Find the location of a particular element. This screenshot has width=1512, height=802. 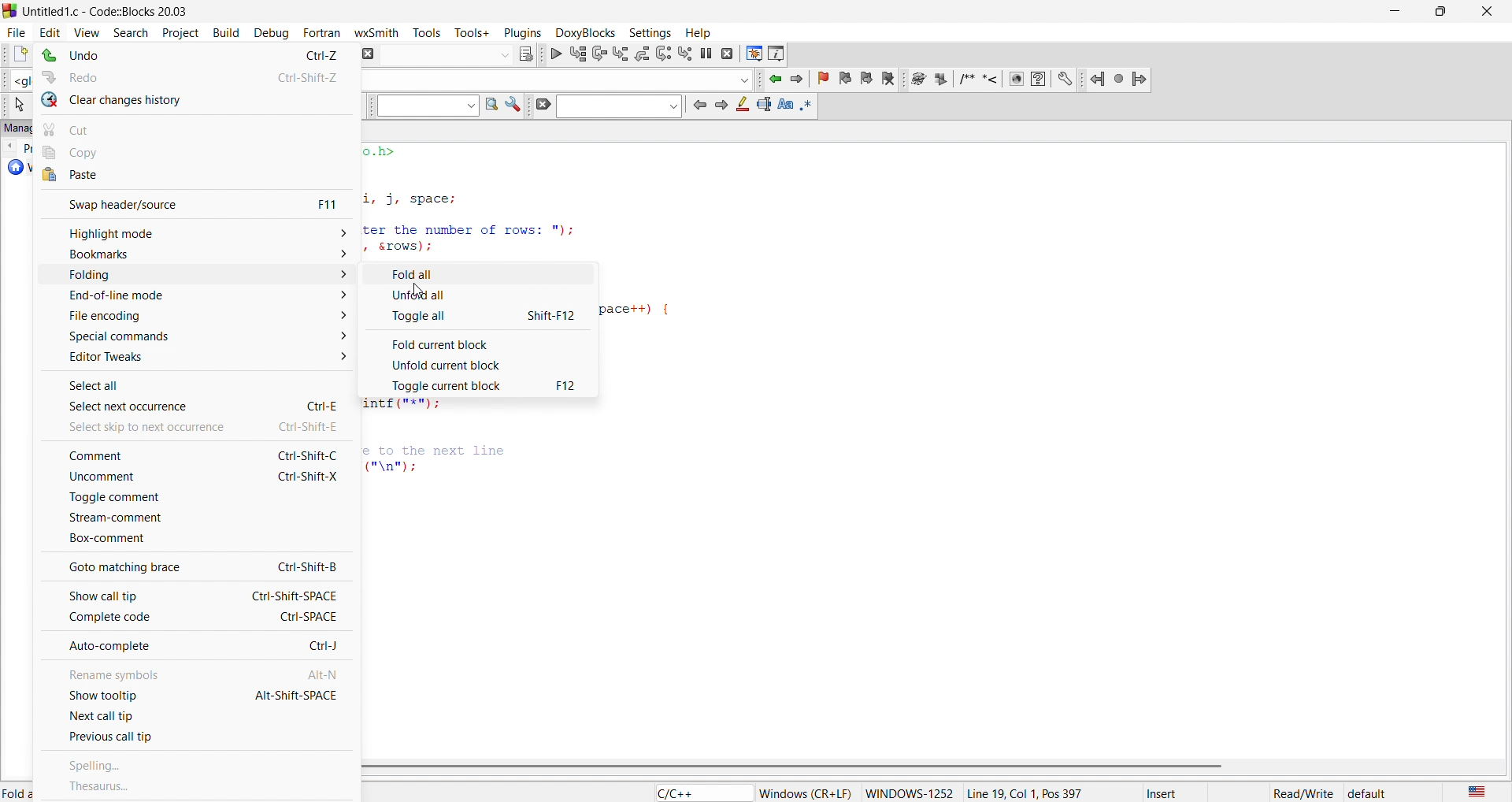

abort is located at coordinates (366, 53).